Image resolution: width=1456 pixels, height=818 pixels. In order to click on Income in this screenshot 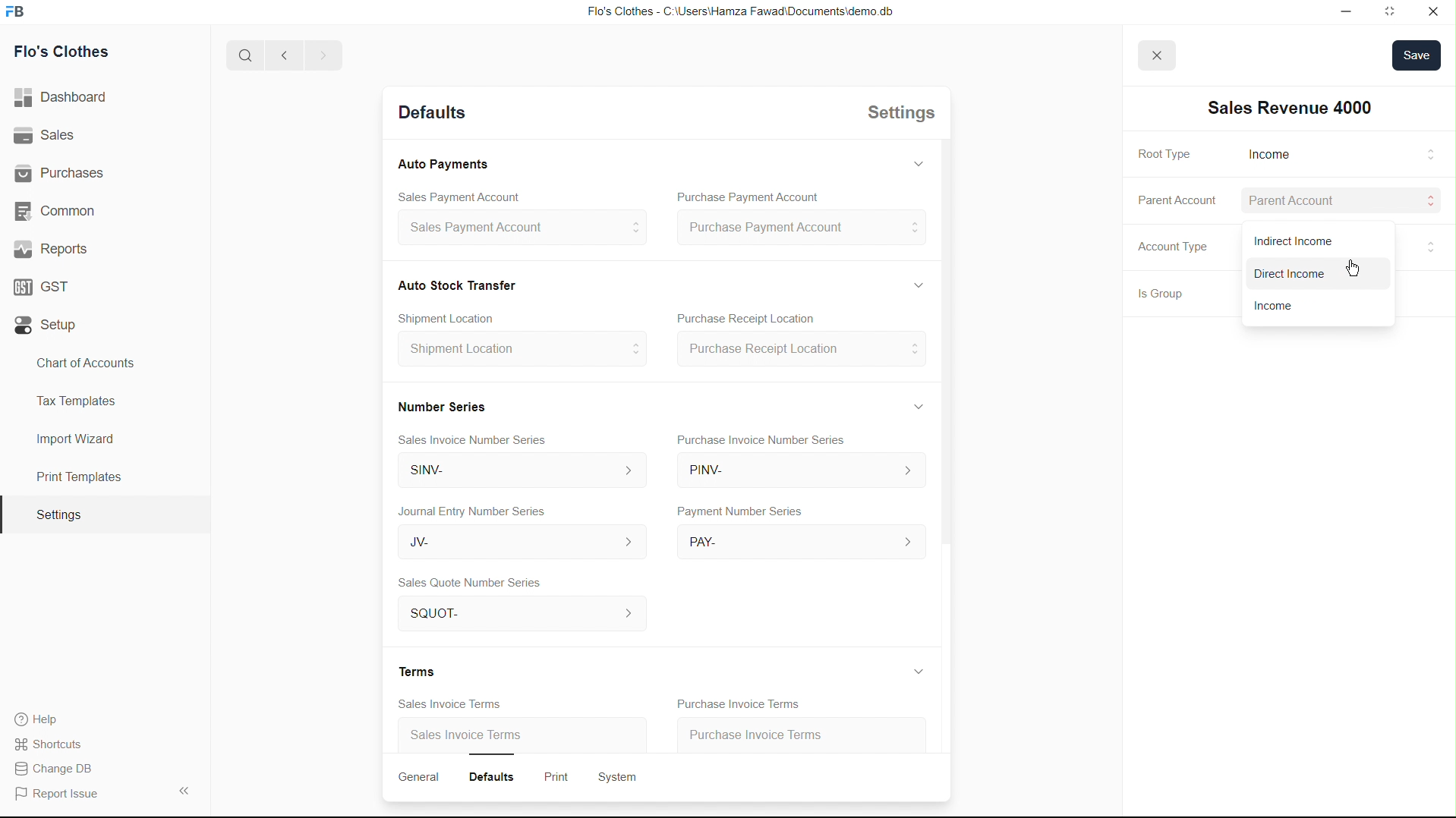, I will do `click(1265, 306)`.